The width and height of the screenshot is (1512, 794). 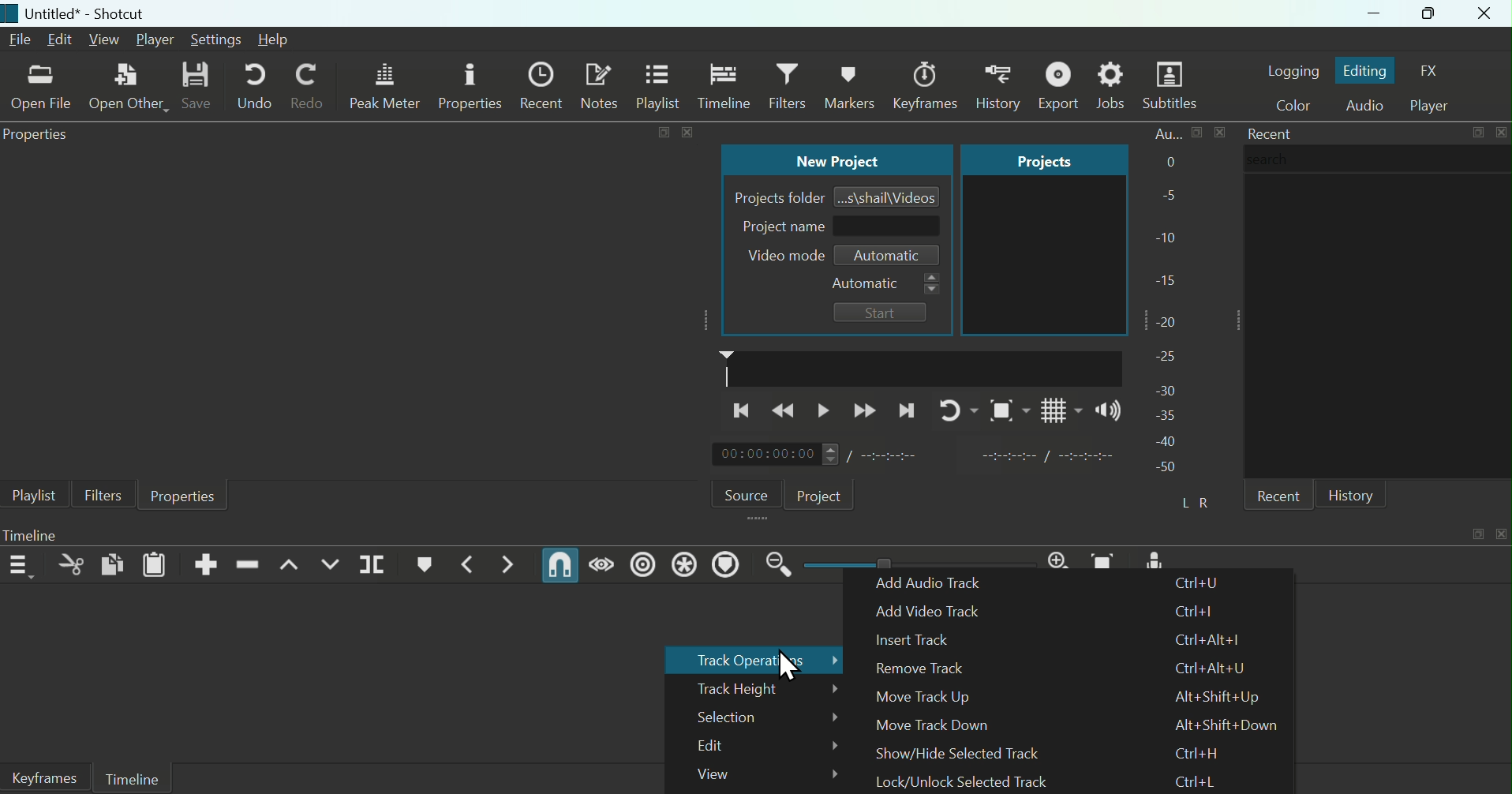 I want to click on Edit, so click(x=758, y=746).